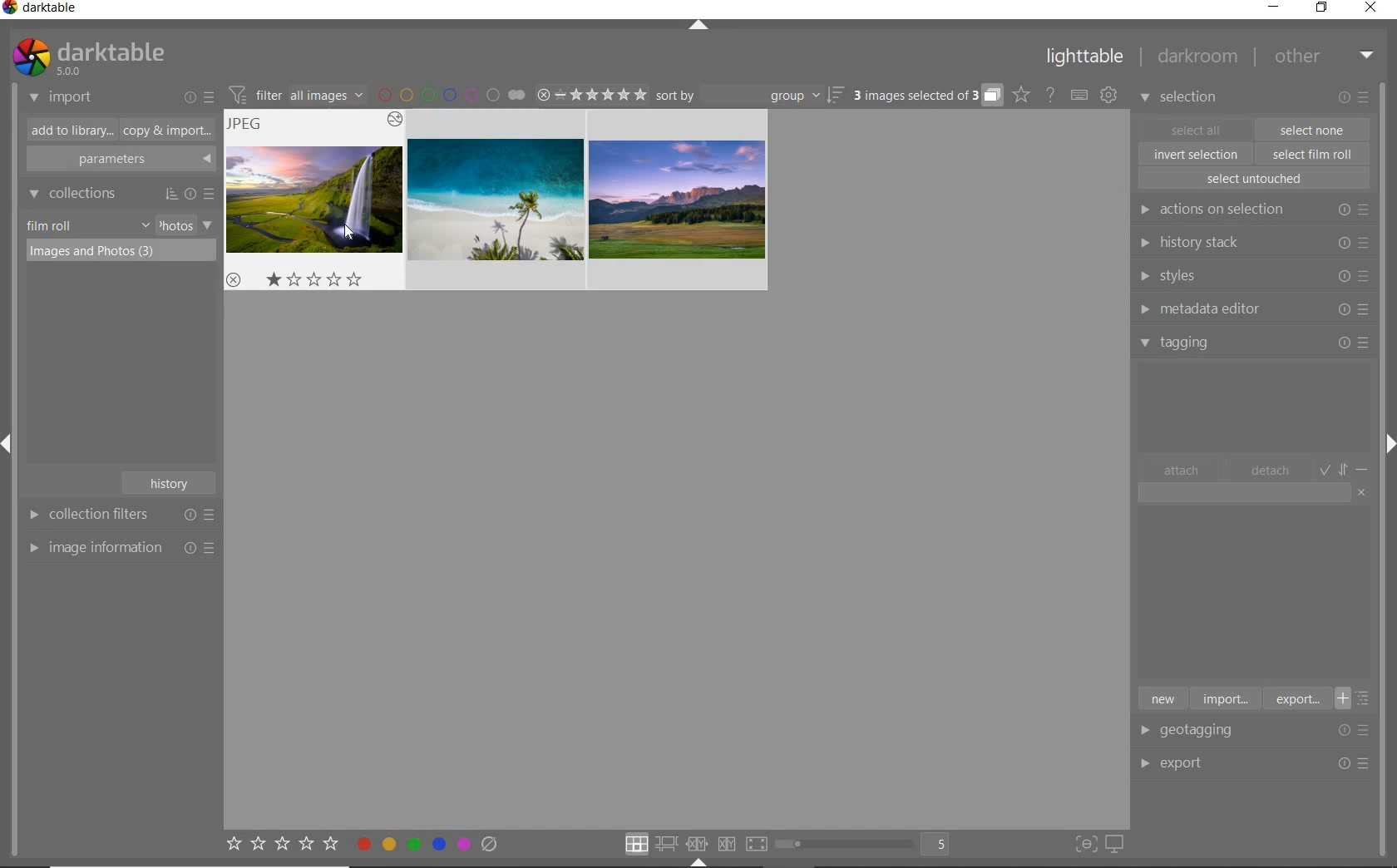 The image size is (1397, 868). What do you see at coordinates (1084, 842) in the screenshot?
I see `toggle focus-peaking mode` at bounding box center [1084, 842].